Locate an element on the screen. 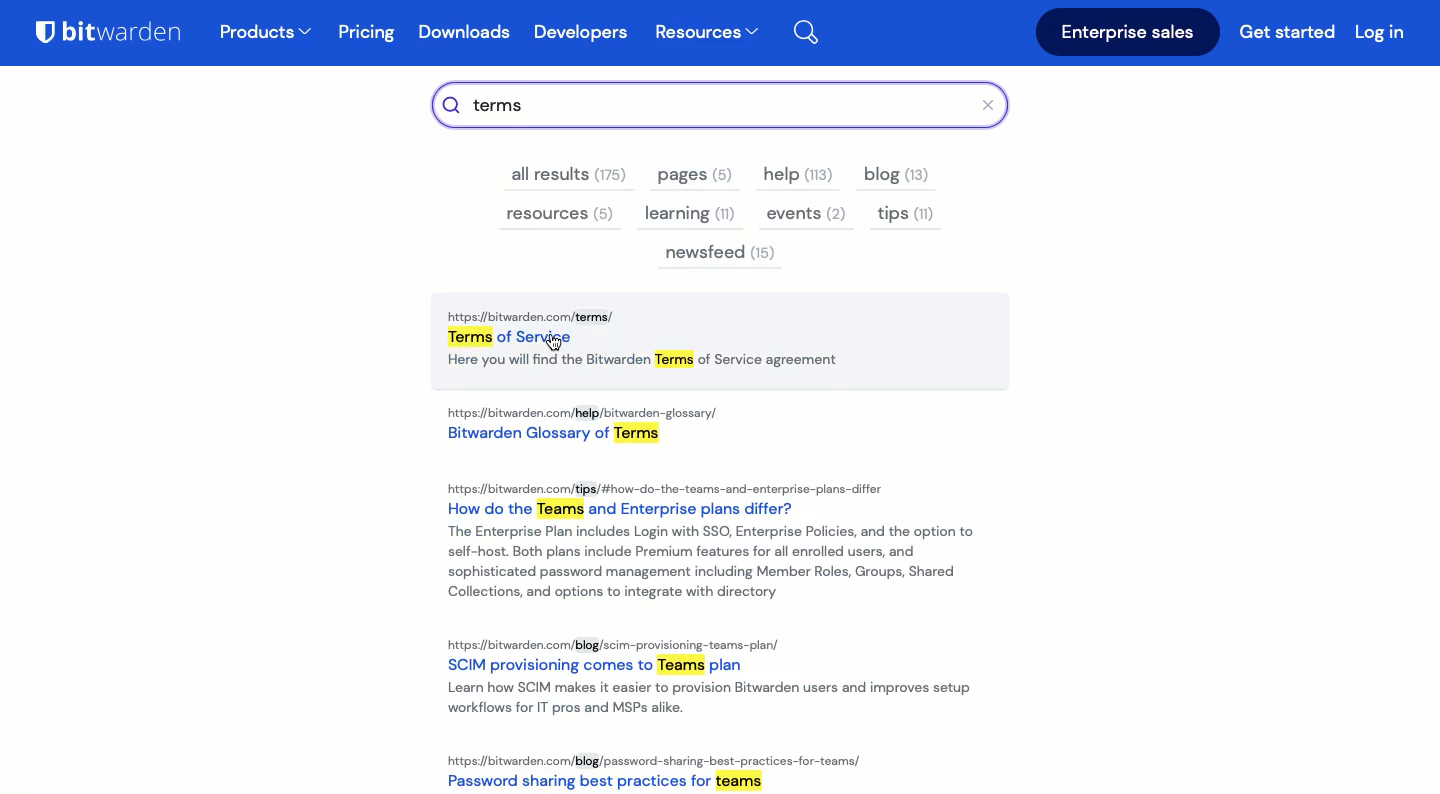 The width and height of the screenshot is (1440, 794). Downloads is located at coordinates (469, 35).